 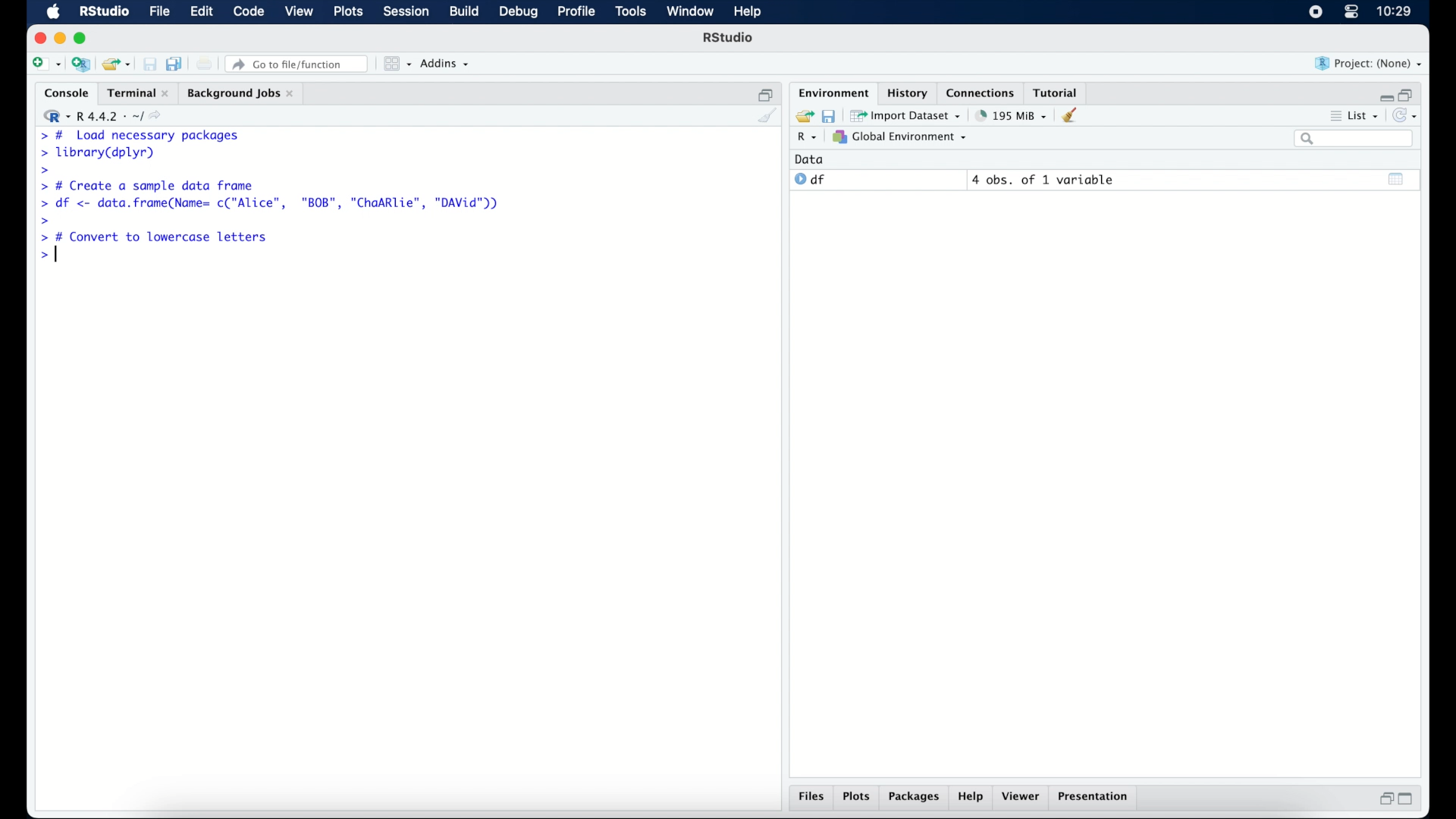 What do you see at coordinates (155, 237) in the screenshot?
I see `> # Convert to lowercase letters|` at bounding box center [155, 237].